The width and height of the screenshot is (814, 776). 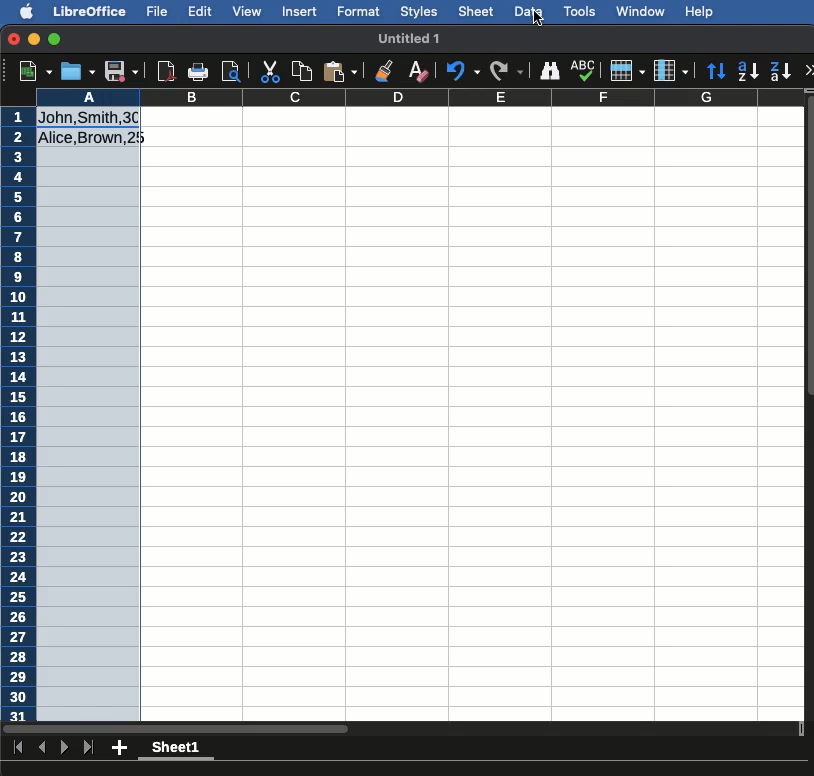 What do you see at coordinates (421, 71) in the screenshot?
I see `Clear formatting` at bounding box center [421, 71].